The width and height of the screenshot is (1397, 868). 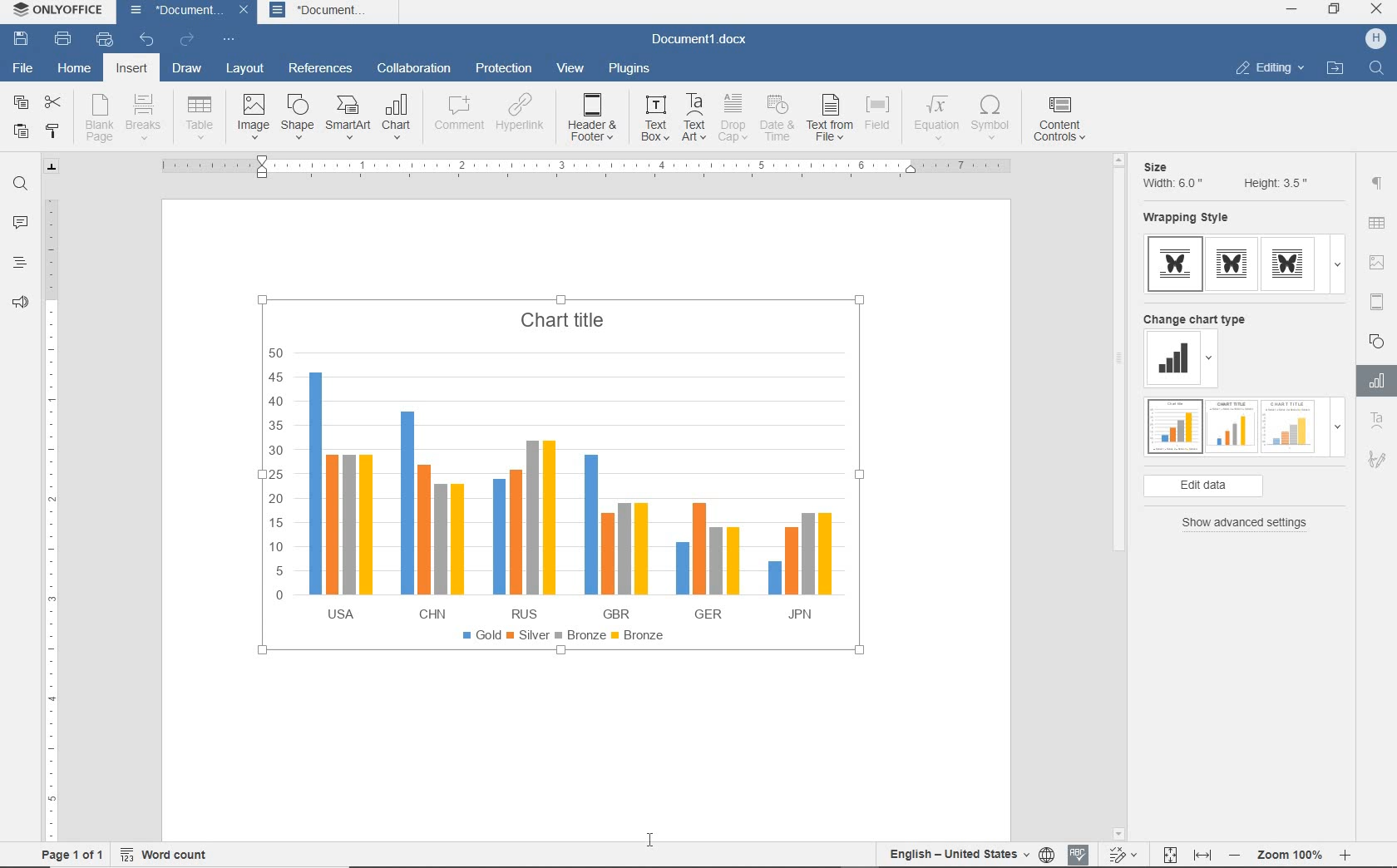 What do you see at coordinates (299, 116) in the screenshot?
I see `shape` at bounding box center [299, 116].